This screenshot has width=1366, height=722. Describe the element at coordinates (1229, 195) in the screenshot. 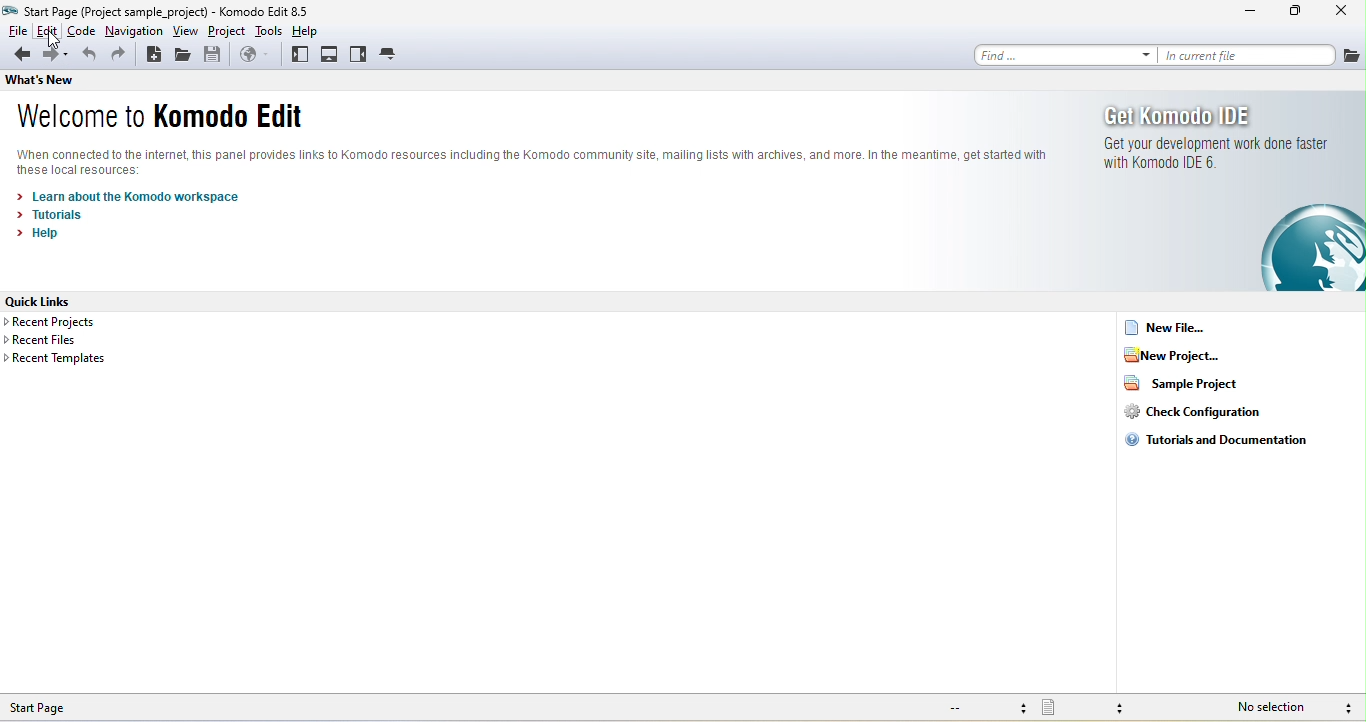

I see `get komodo ide` at that location.